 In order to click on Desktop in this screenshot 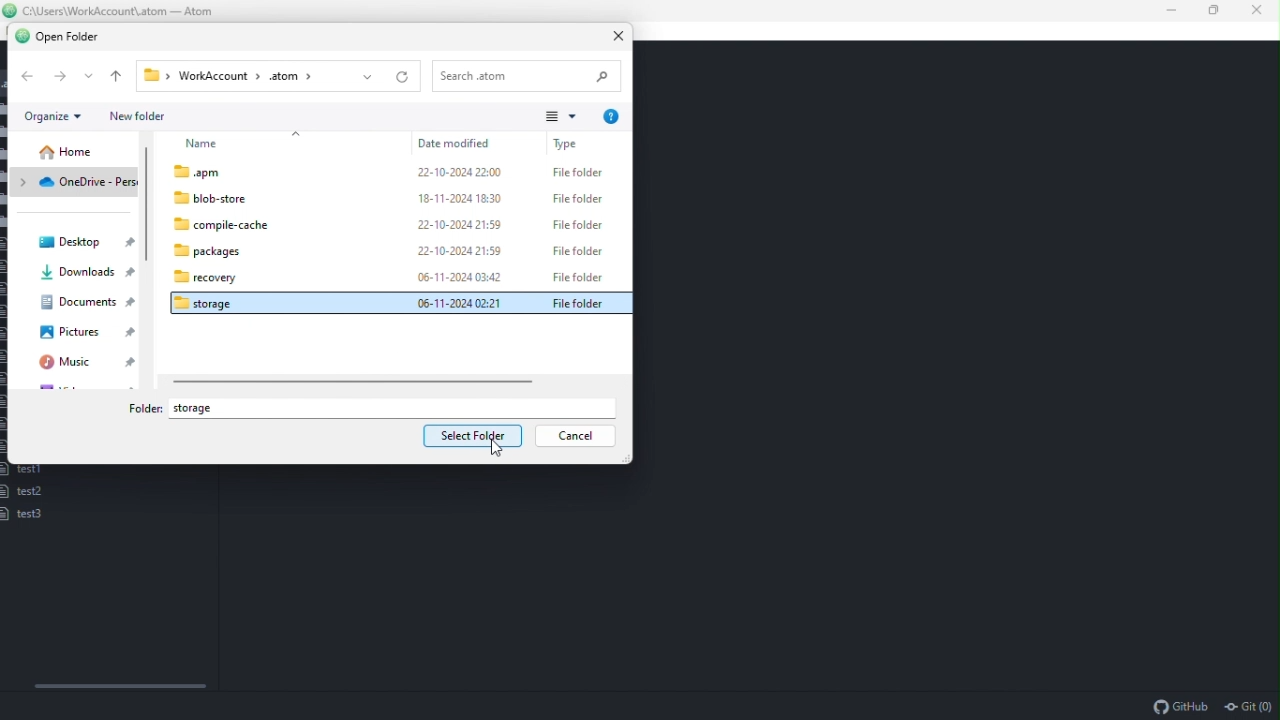, I will do `click(87, 242)`.